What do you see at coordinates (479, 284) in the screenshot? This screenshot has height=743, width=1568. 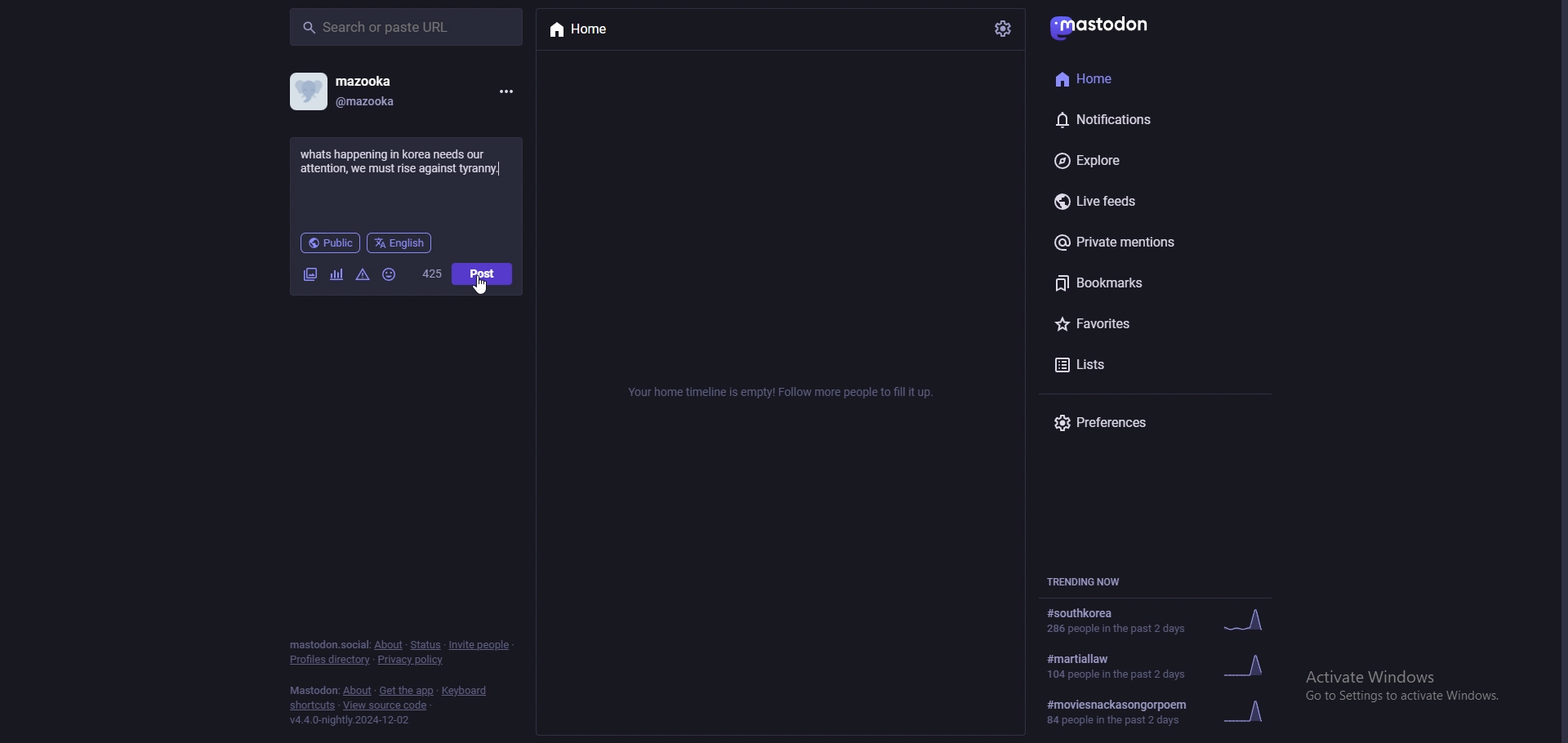 I see `cursor` at bounding box center [479, 284].